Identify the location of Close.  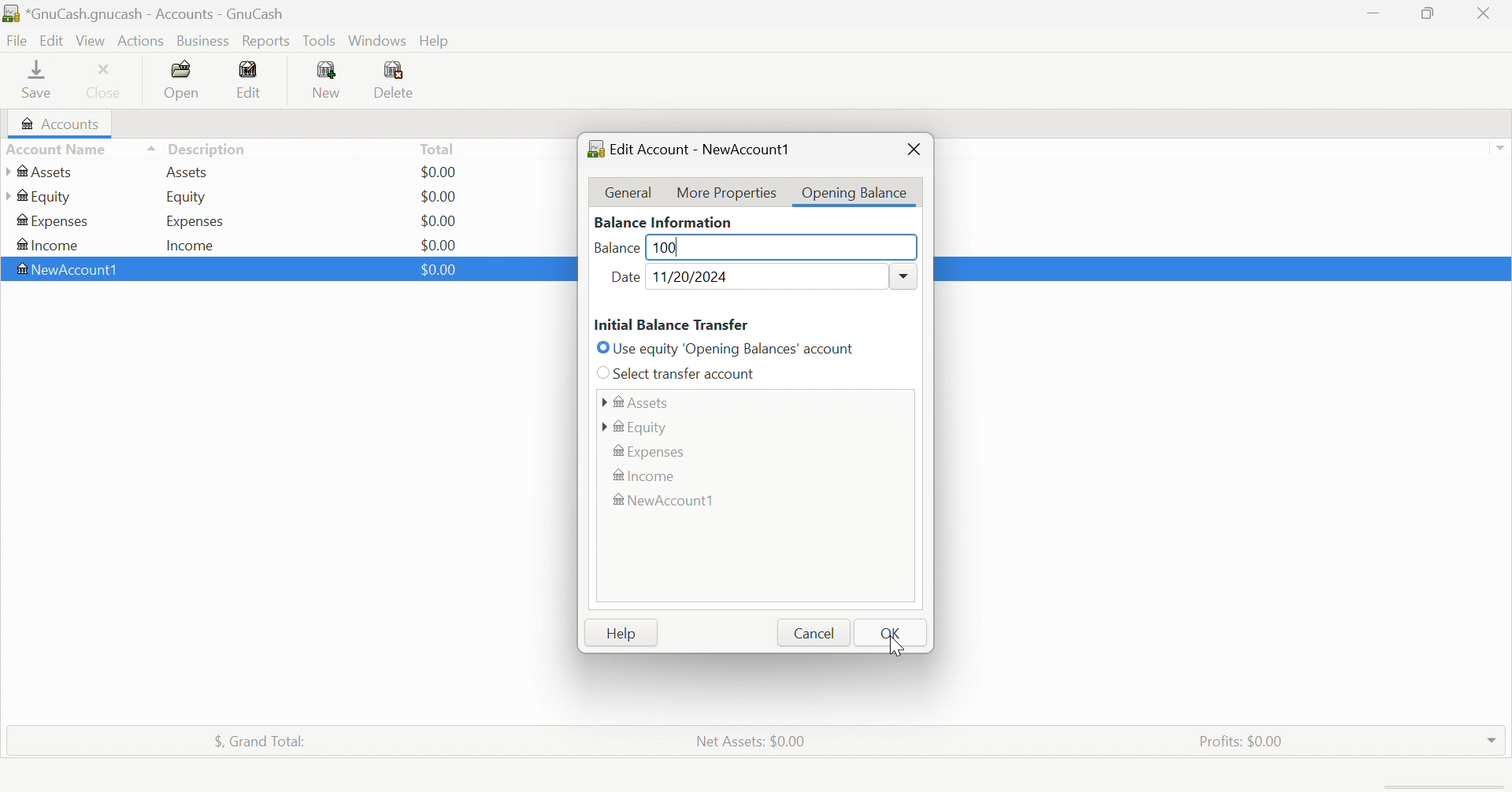
(107, 80).